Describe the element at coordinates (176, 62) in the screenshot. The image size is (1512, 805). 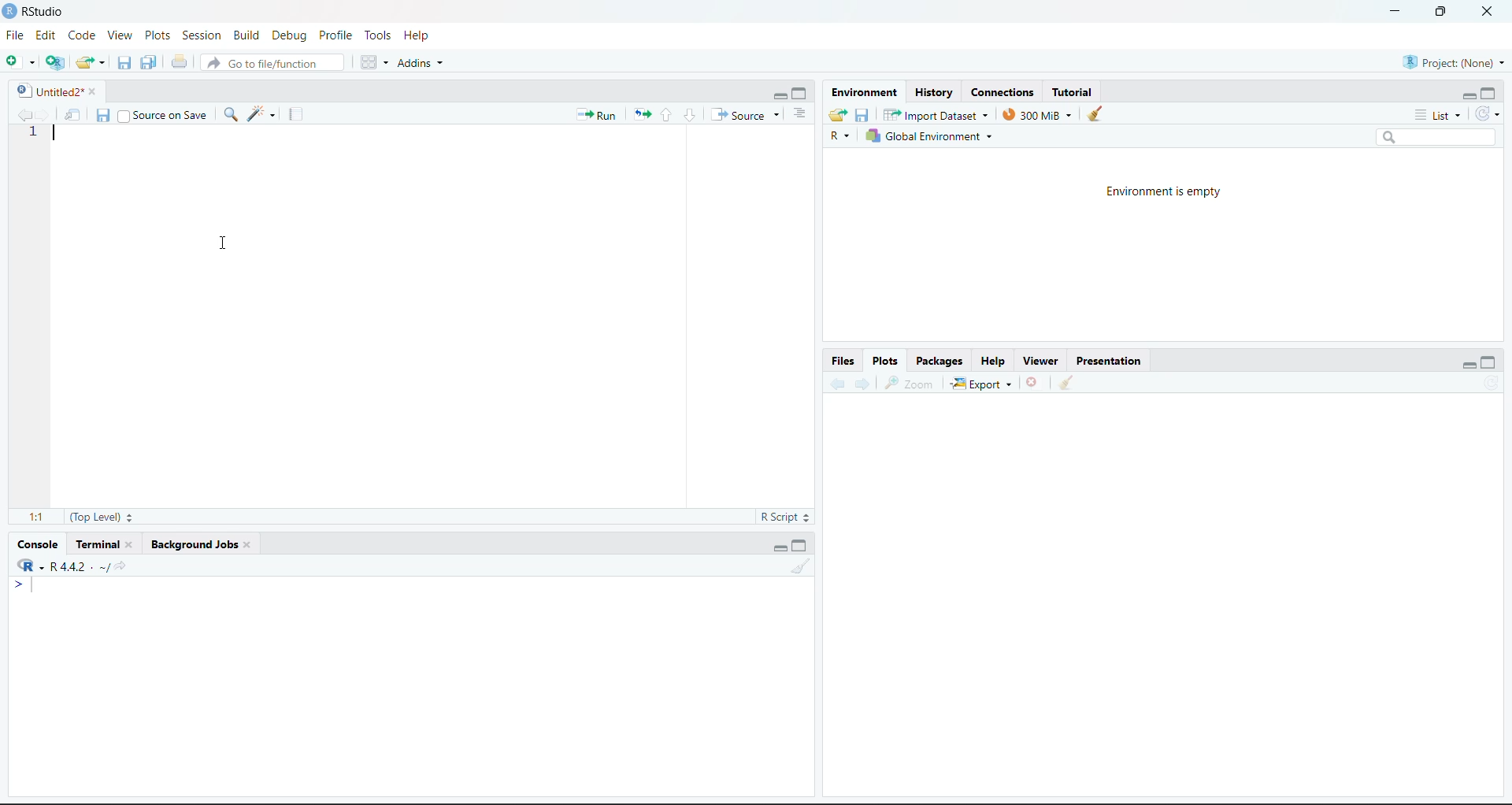
I see `print the current file` at that location.